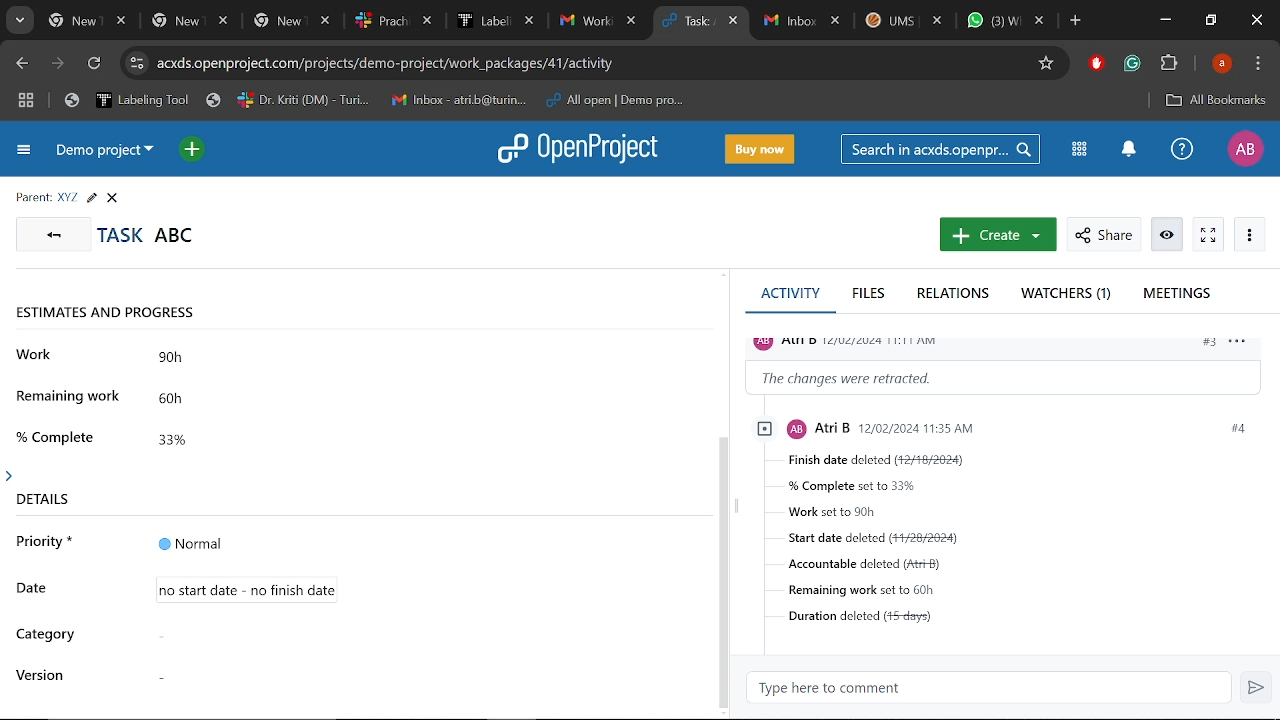  Describe the element at coordinates (45, 546) in the screenshot. I see `priority` at that location.